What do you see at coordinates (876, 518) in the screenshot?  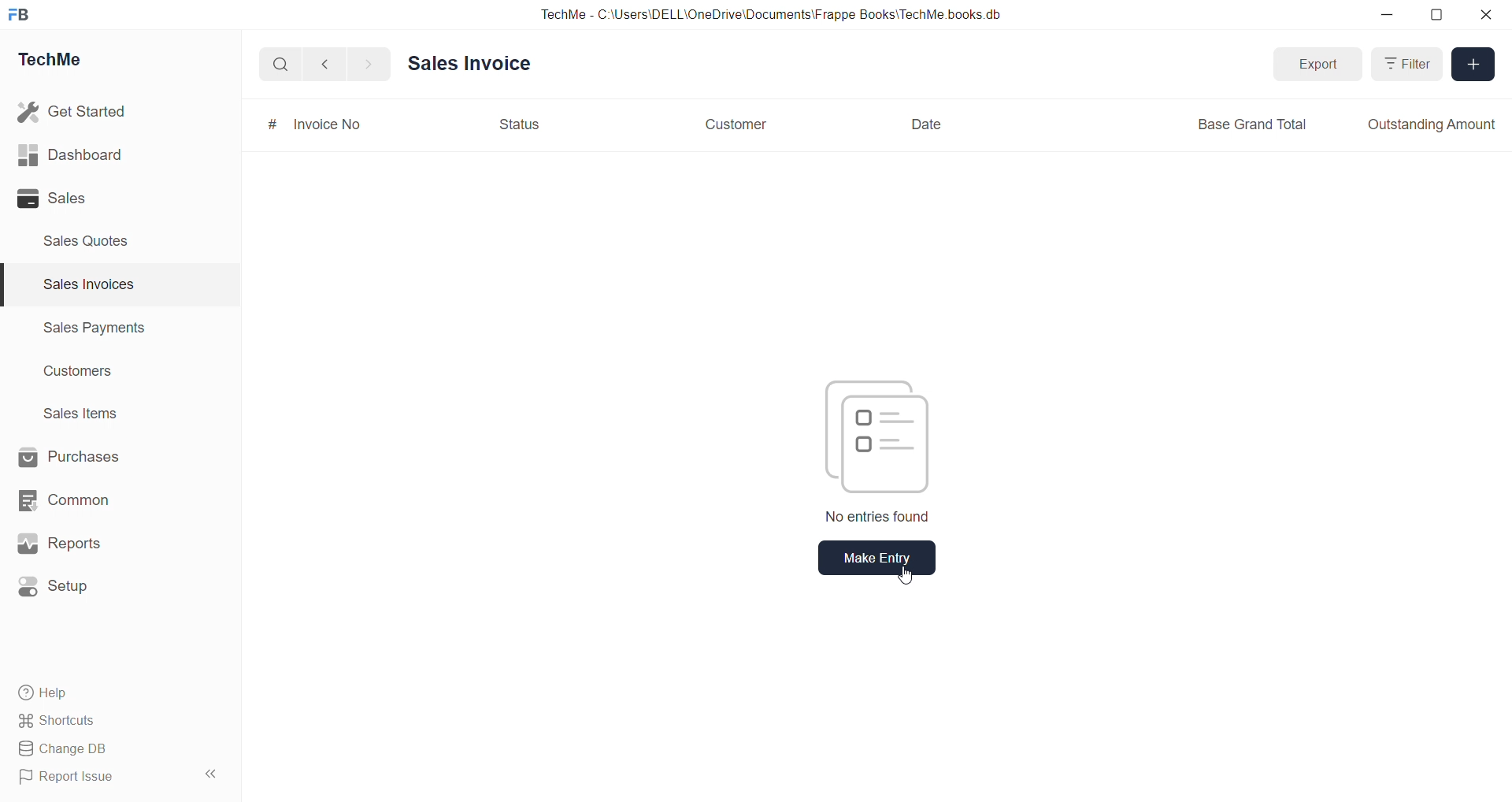 I see `No entries found` at bounding box center [876, 518].